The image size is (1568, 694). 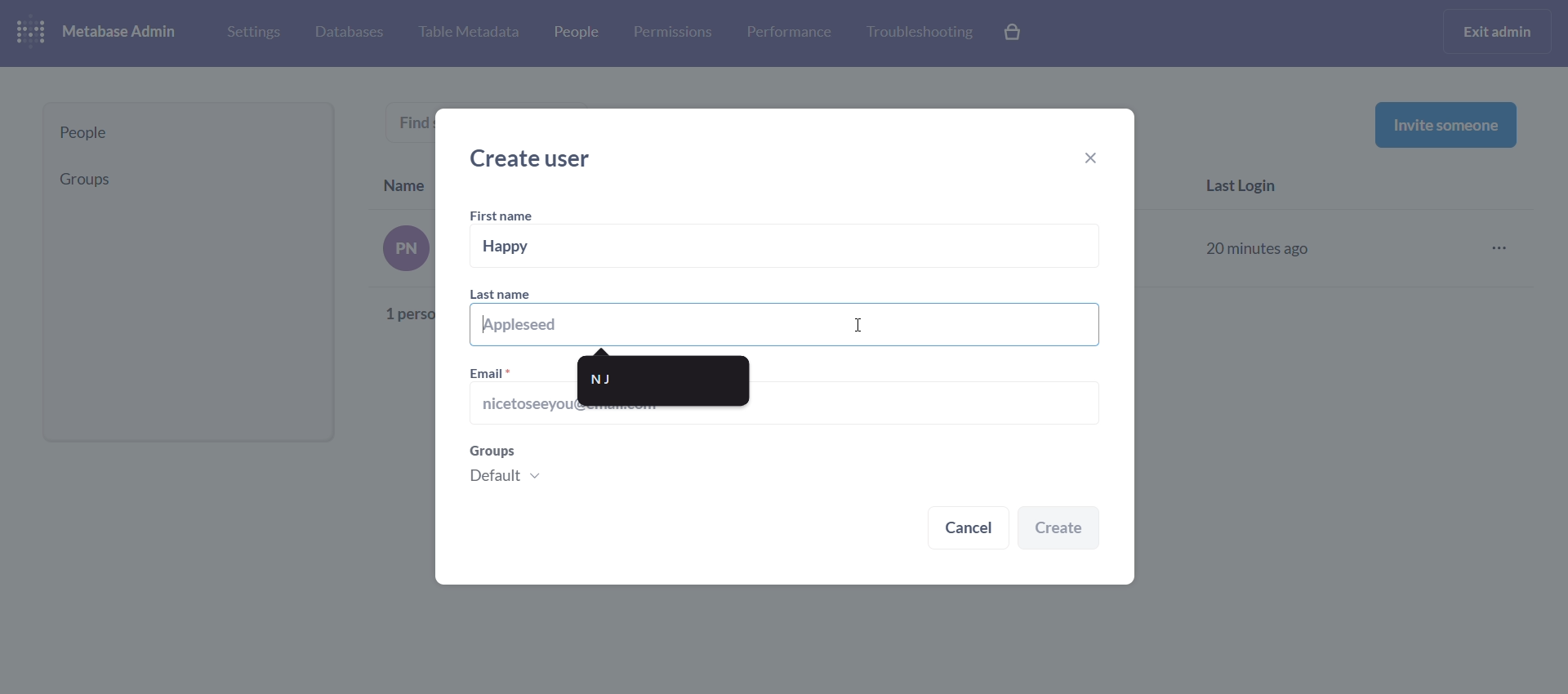 I want to click on last login, so click(x=1249, y=188).